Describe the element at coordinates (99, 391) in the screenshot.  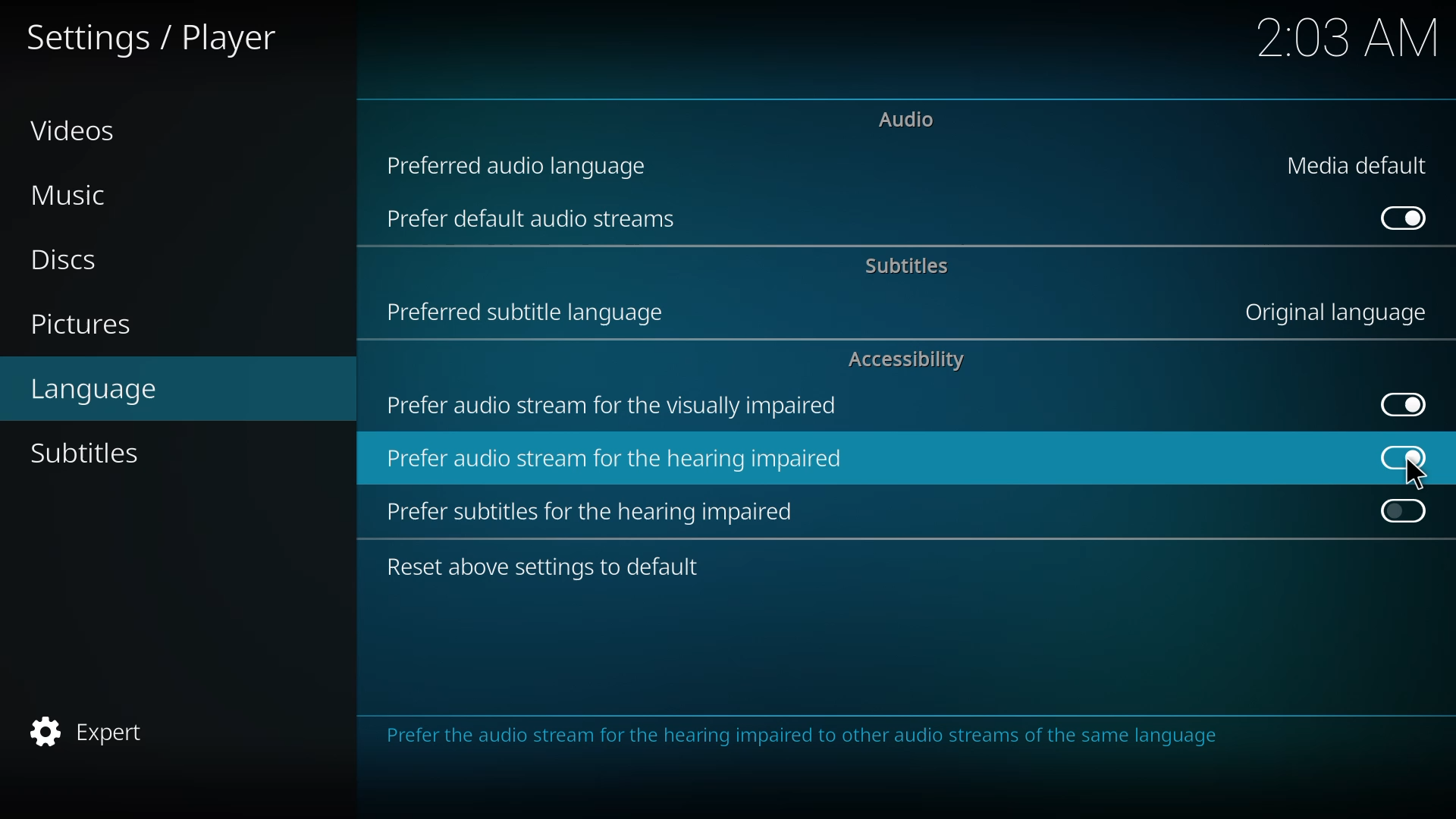
I see `language` at that location.